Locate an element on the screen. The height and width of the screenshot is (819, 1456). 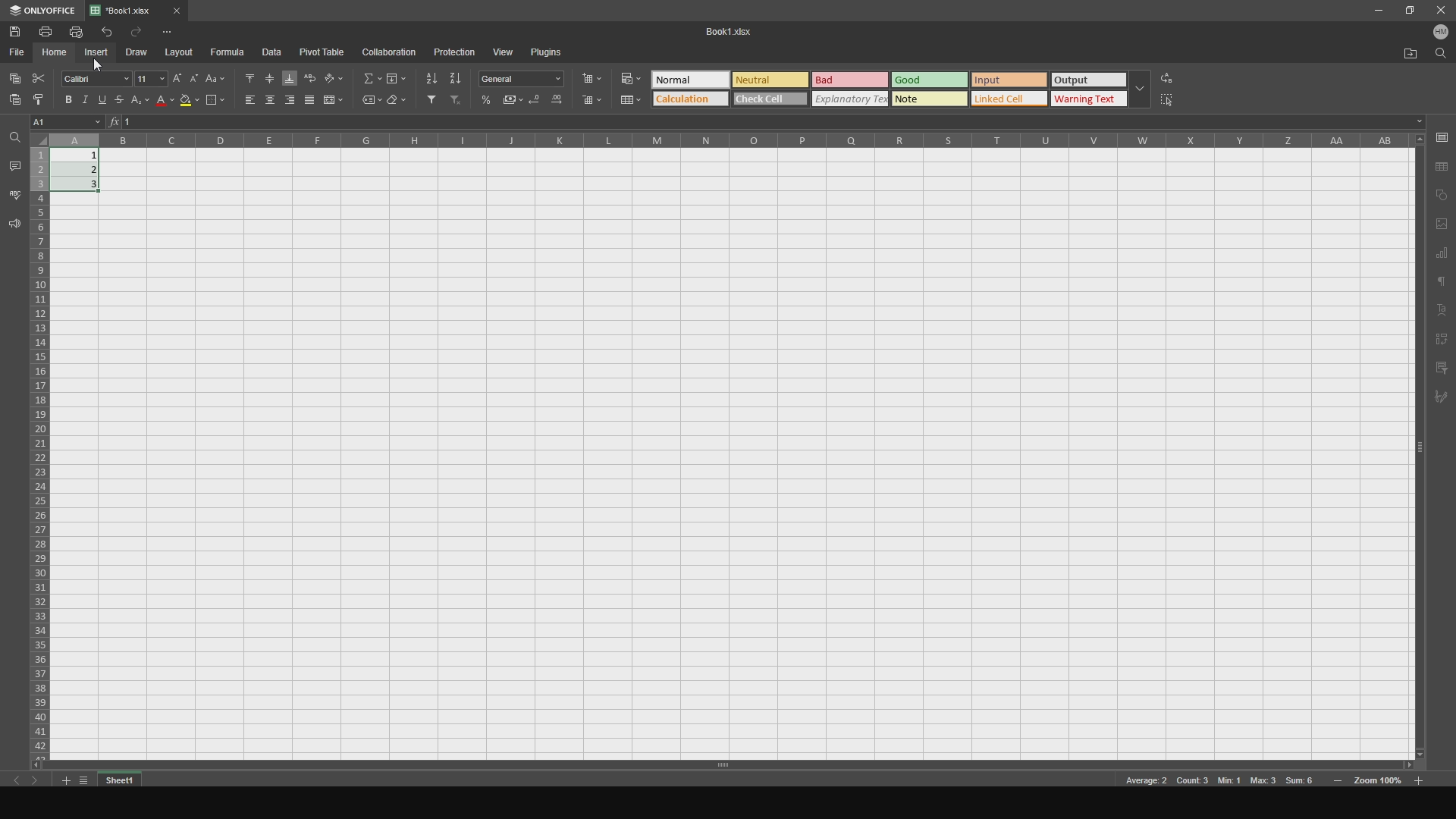
book 1 is located at coordinates (724, 31).